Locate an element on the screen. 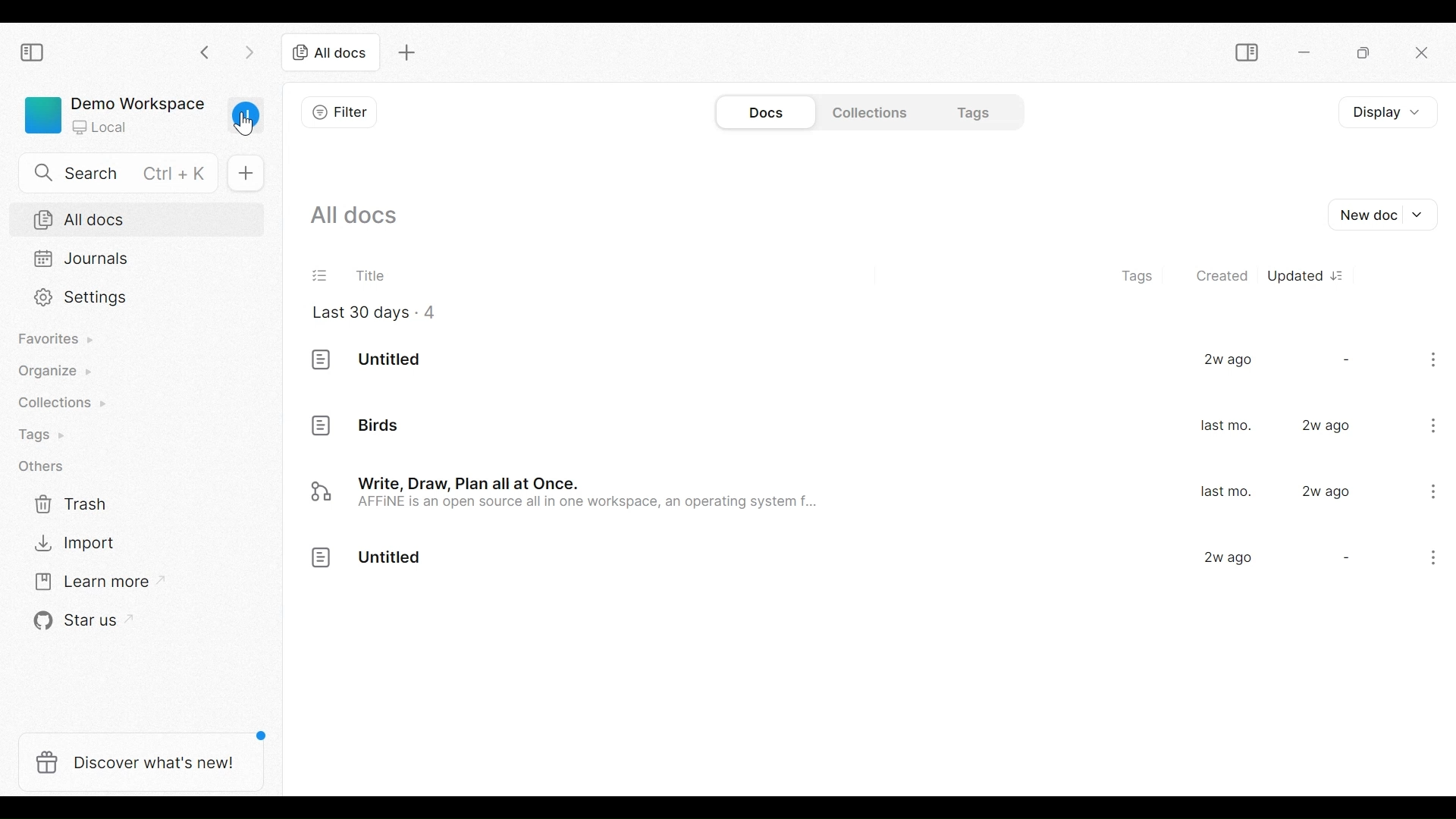 The image size is (1456, 819). Import is located at coordinates (69, 545).